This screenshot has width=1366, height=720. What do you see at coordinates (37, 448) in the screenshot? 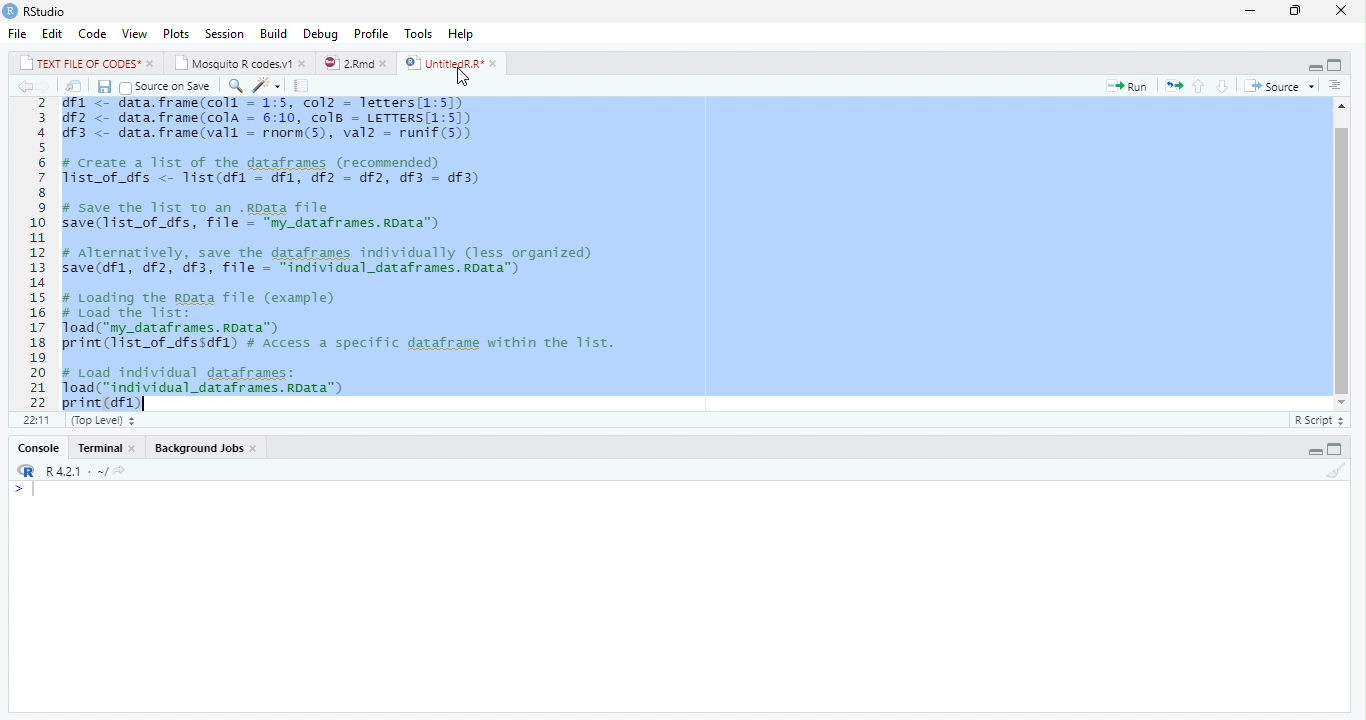
I see `Console` at bounding box center [37, 448].